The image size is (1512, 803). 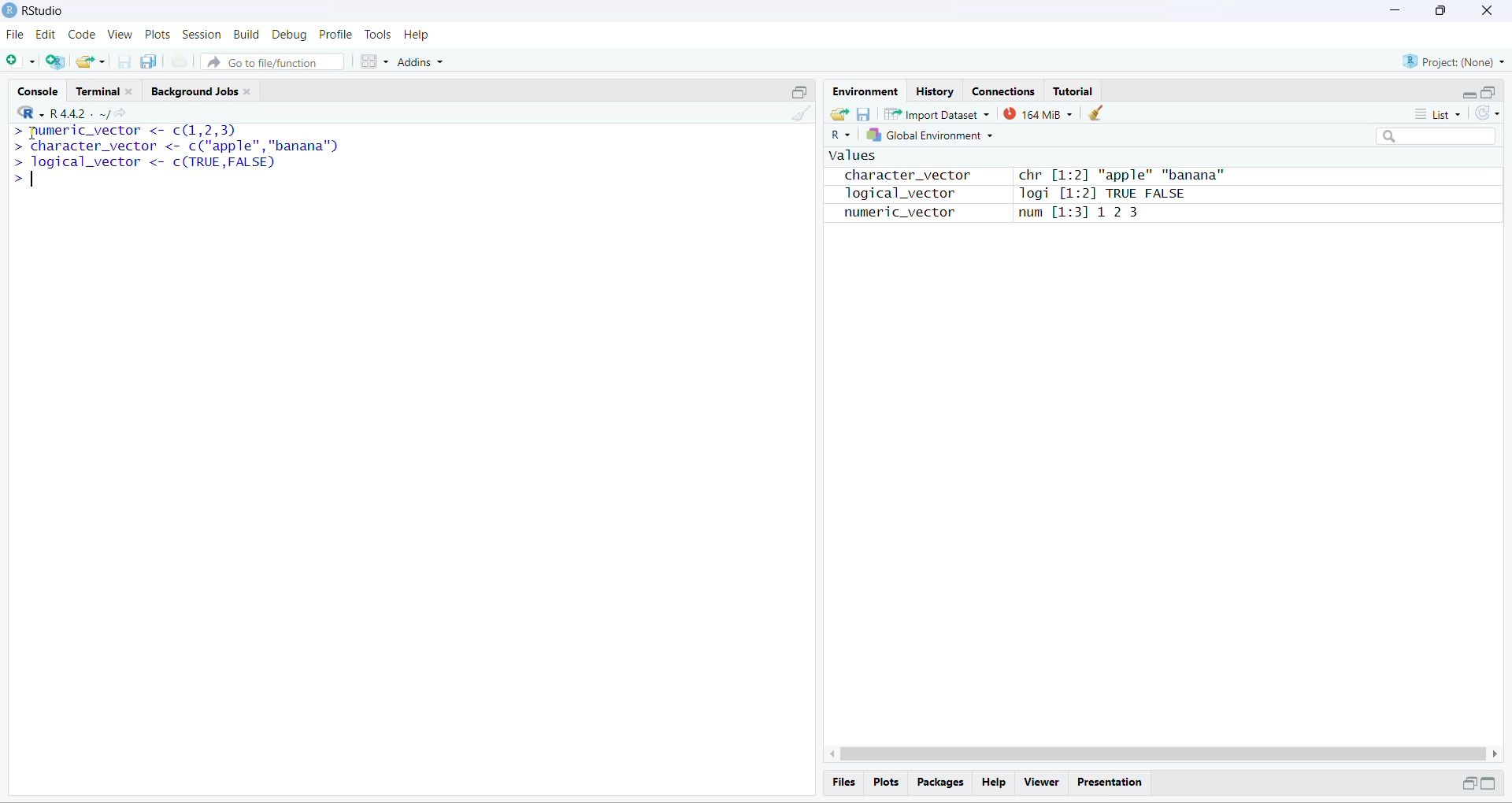 What do you see at coordinates (159, 35) in the screenshot?
I see `Plots` at bounding box center [159, 35].